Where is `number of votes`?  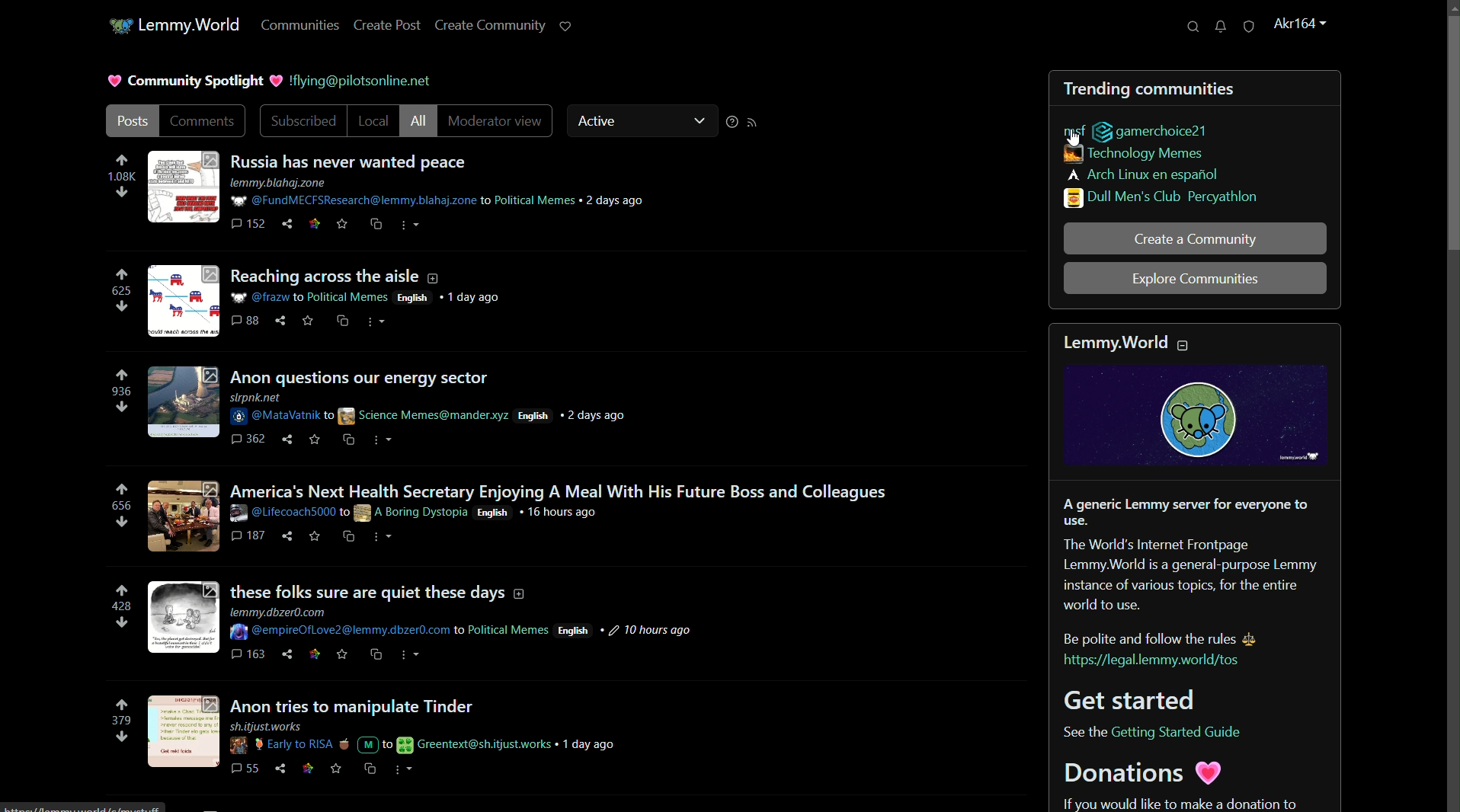
number of votes is located at coordinates (119, 721).